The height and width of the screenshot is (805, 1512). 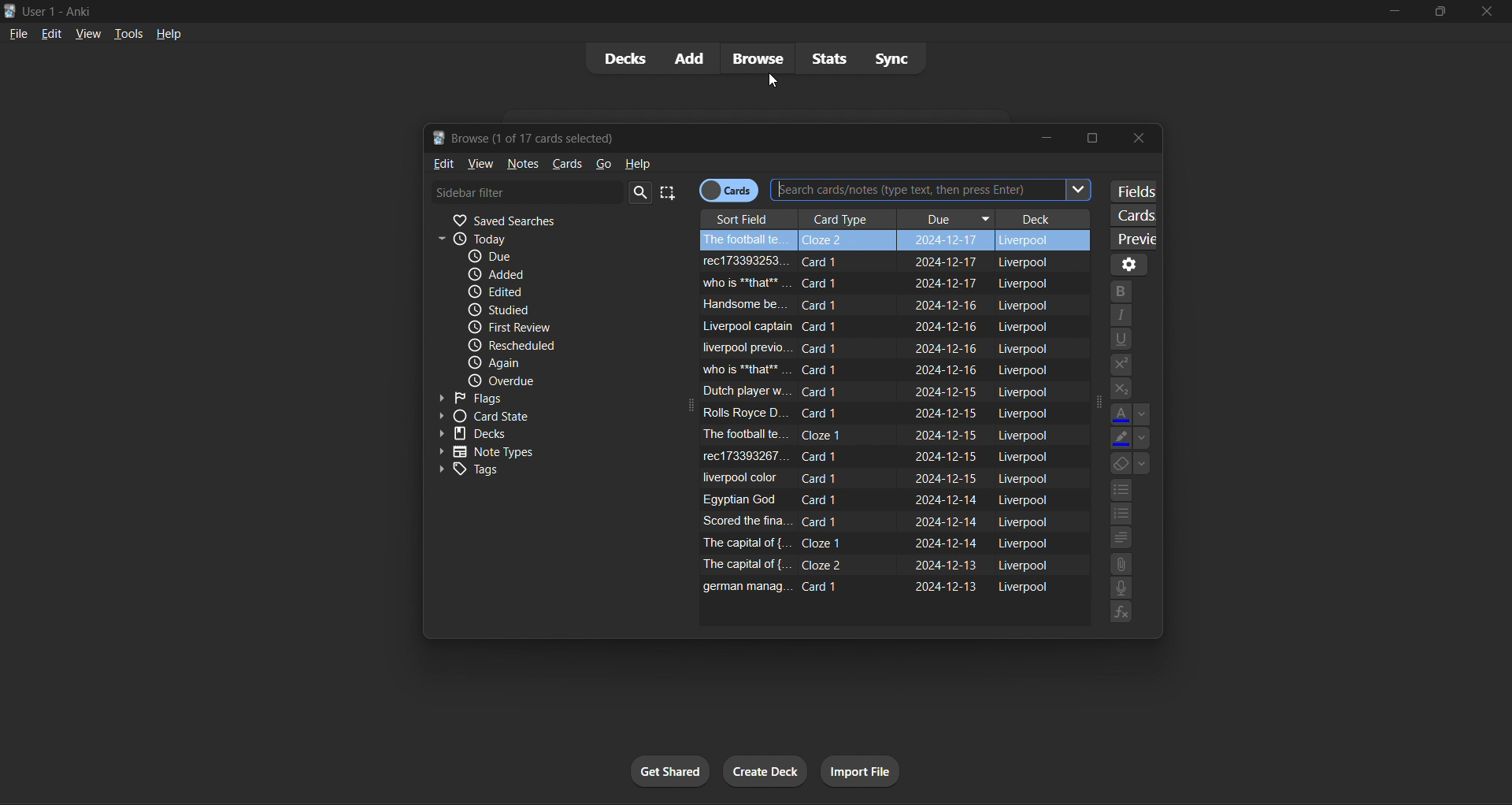 What do you see at coordinates (945, 498) in the screenshot?
I see `due date` at bounding box center [945, 498].